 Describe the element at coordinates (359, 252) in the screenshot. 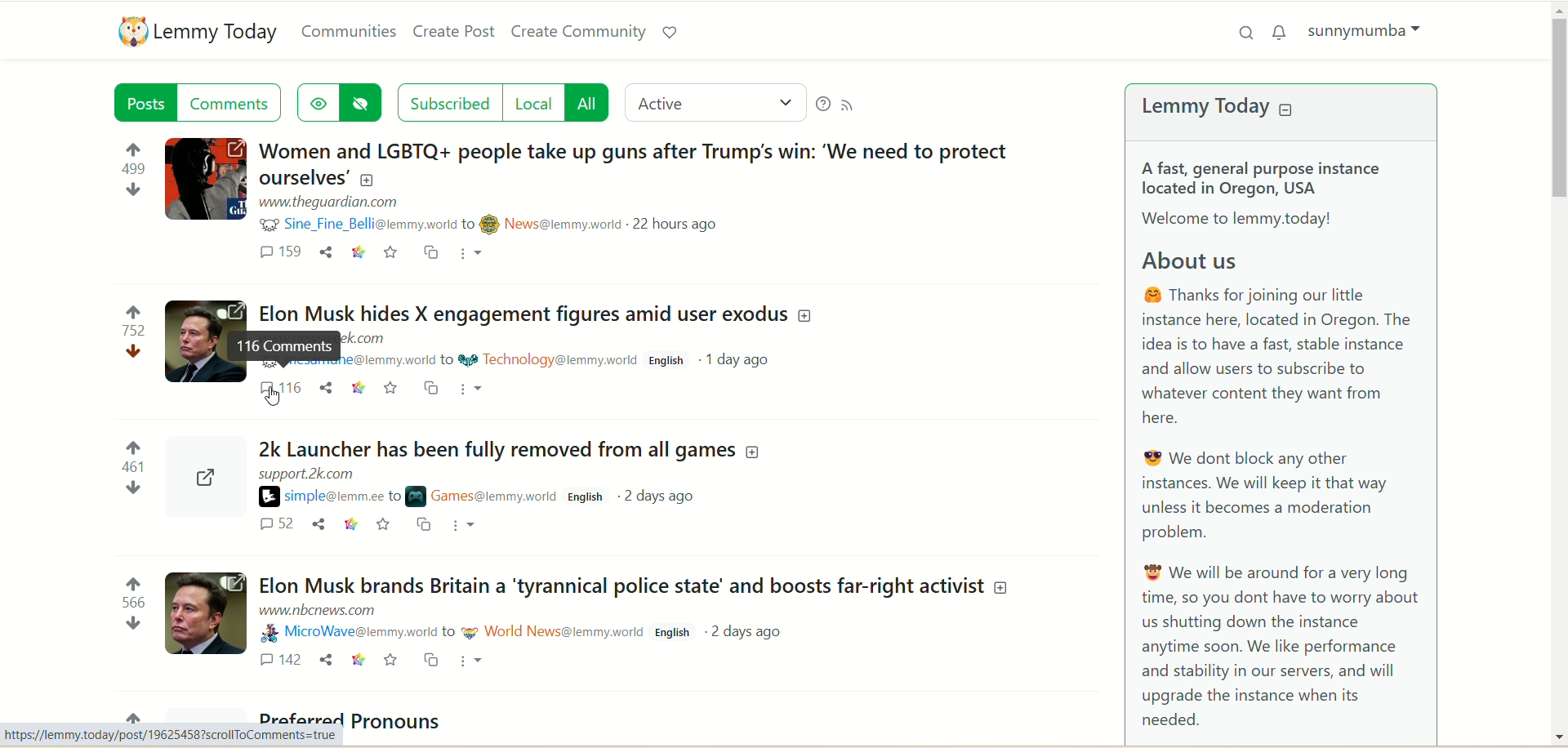

I see `link` at that location.